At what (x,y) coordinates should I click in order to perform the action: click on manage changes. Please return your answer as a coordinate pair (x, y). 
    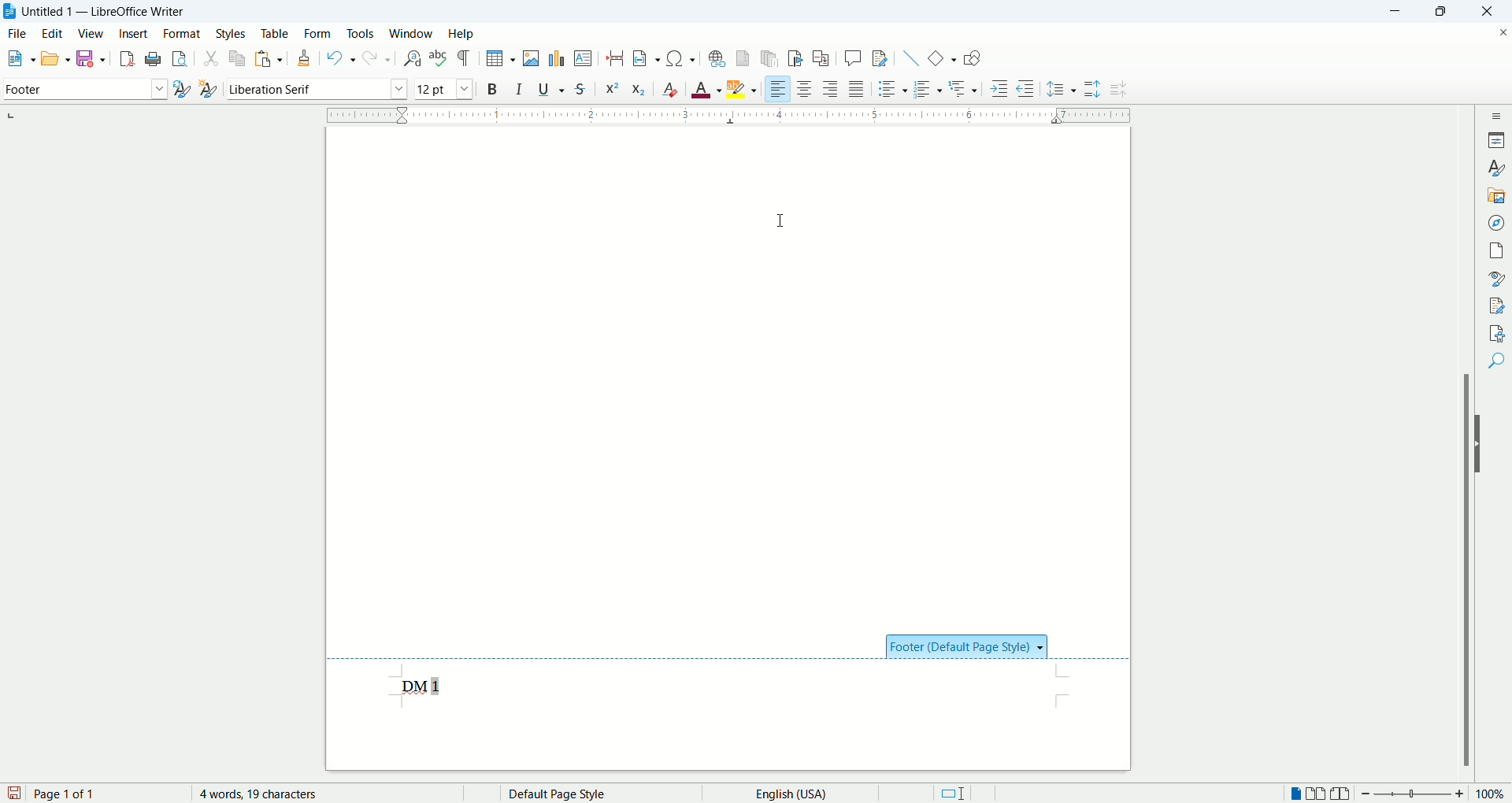
    Looking at the image, I should click on (1498, 306).